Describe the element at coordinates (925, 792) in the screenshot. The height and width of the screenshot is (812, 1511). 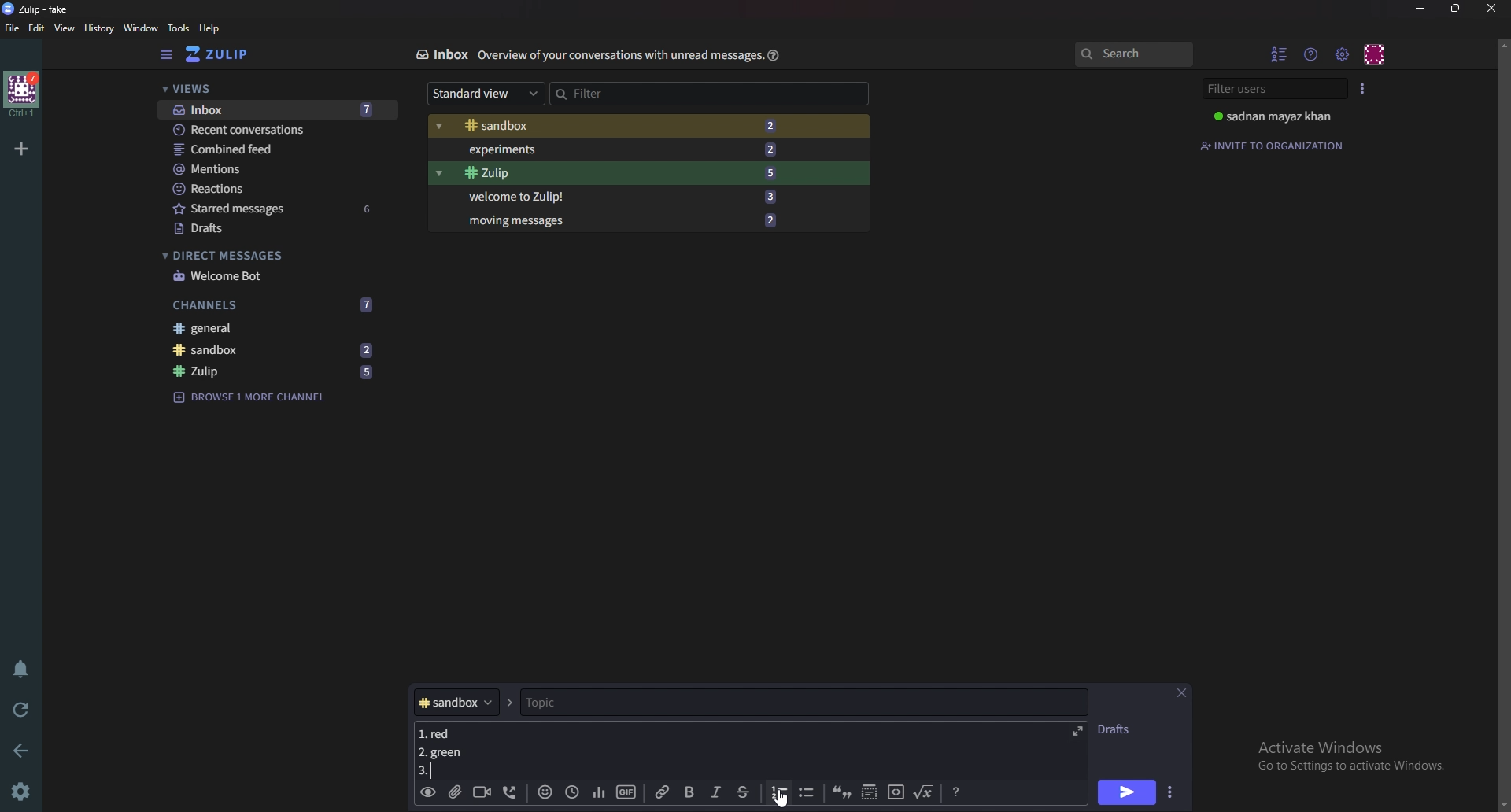
I see `Math` at that location.